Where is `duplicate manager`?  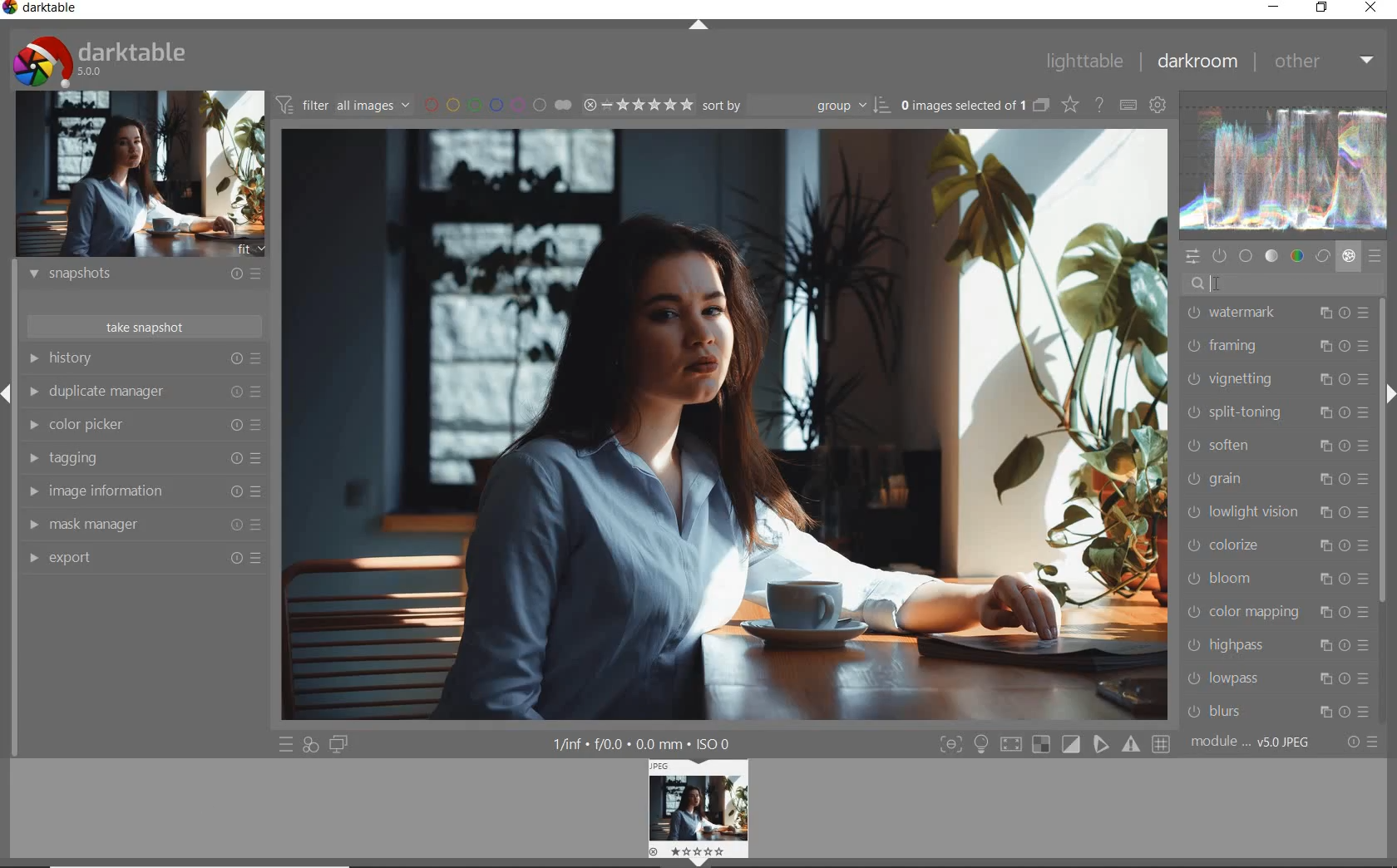 duplicate manager is located at coordinates (146, 392).